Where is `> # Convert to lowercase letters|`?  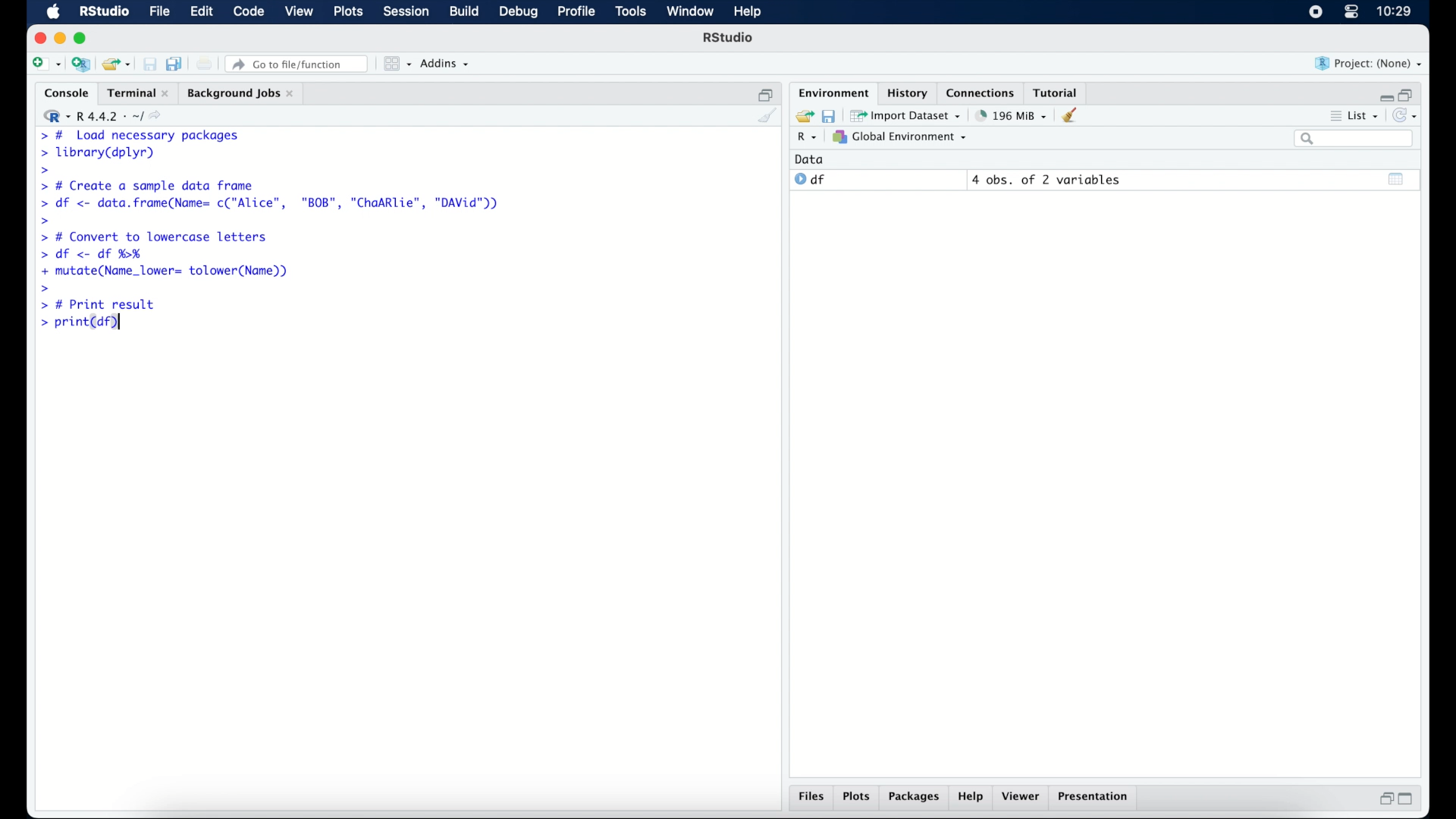 > # Convert to lowercase letters| is located at coordinates (155, 237).